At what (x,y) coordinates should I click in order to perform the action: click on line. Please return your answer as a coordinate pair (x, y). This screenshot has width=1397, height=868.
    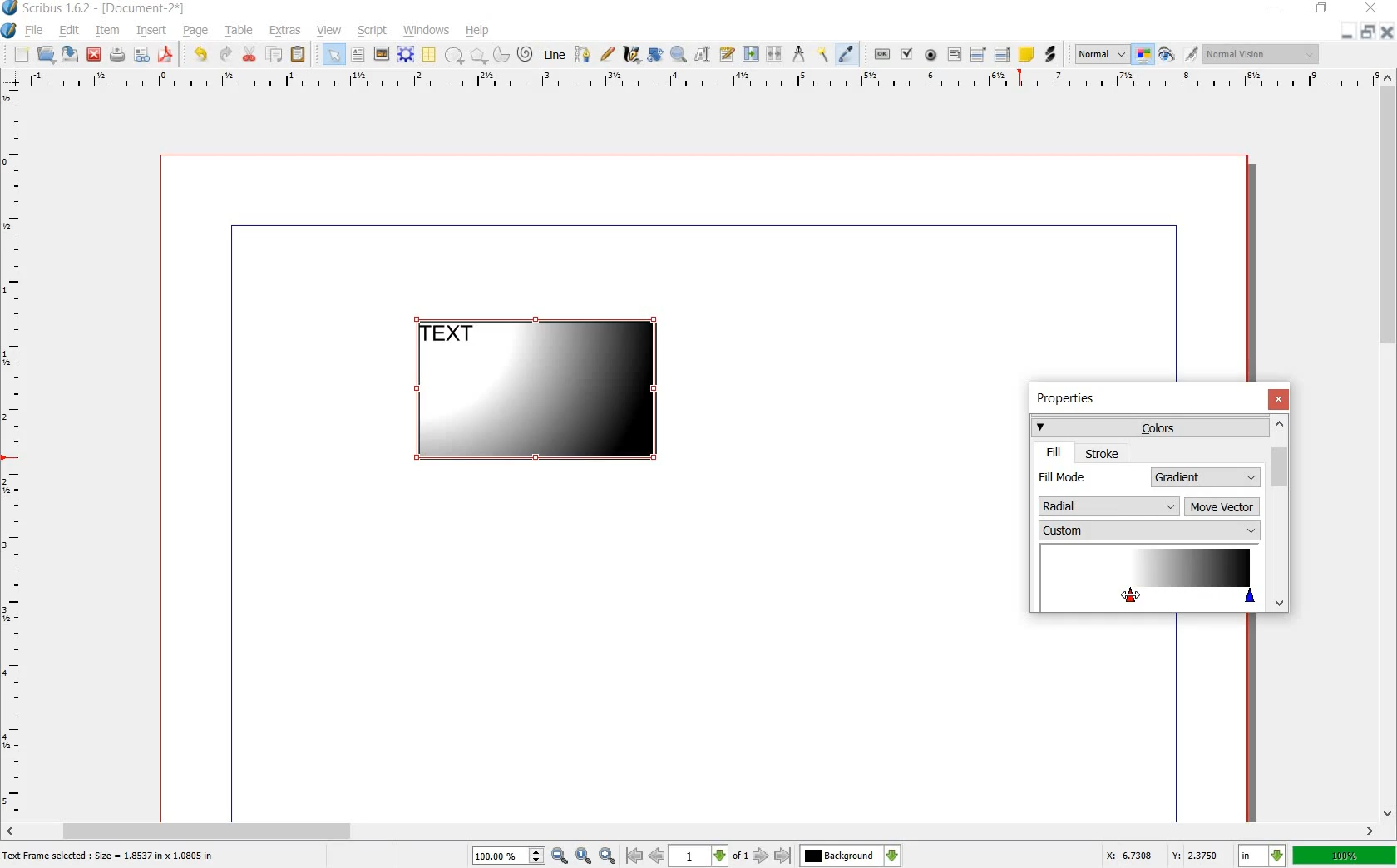
    Looking at the image, I should click on (556, 56).